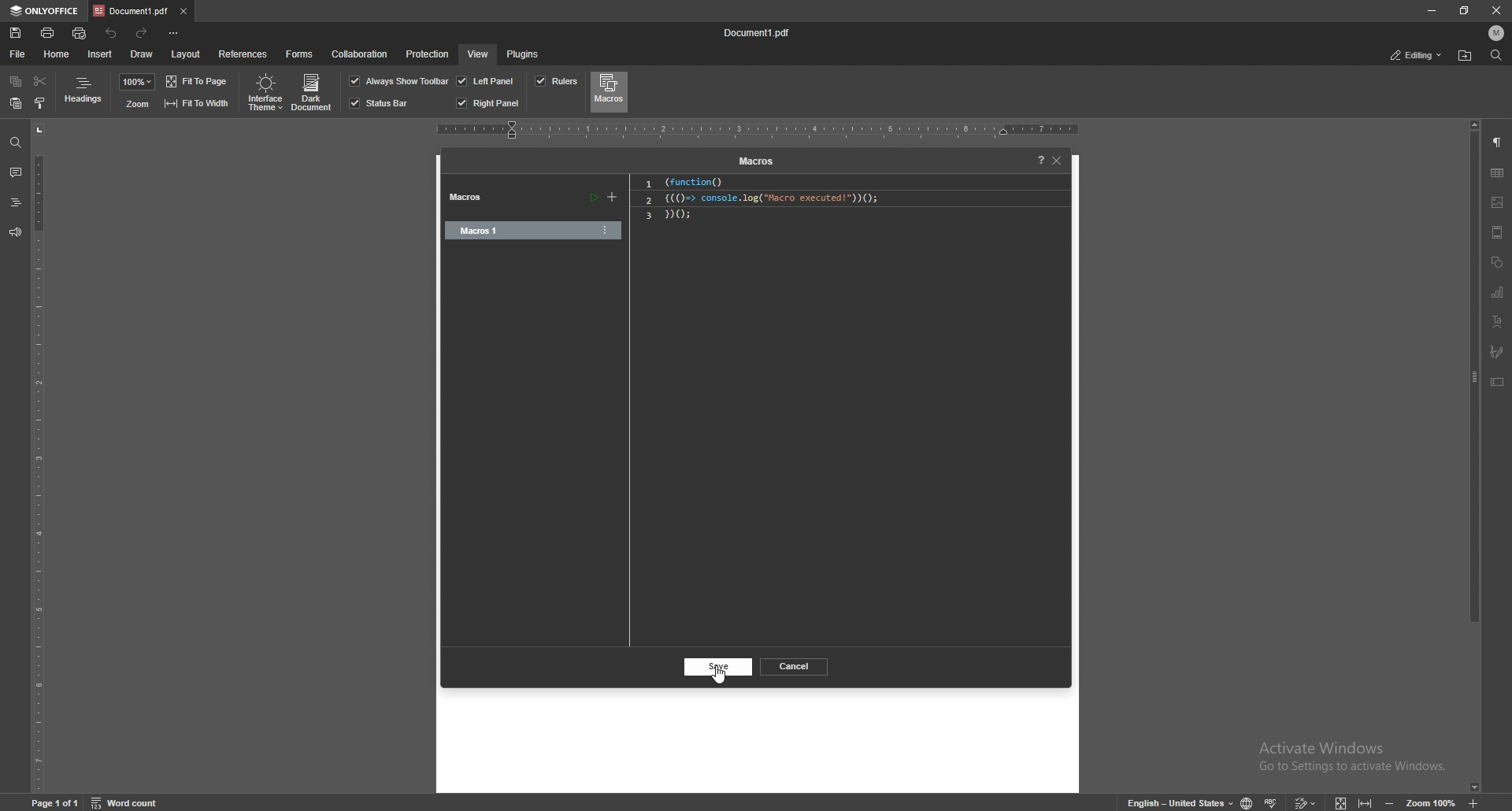 This screenshot has height=811, width=1512. What do you see at coordinates (1497, 261) in the screenshot?
I see `shapes` at bounding box center [1497, 261].